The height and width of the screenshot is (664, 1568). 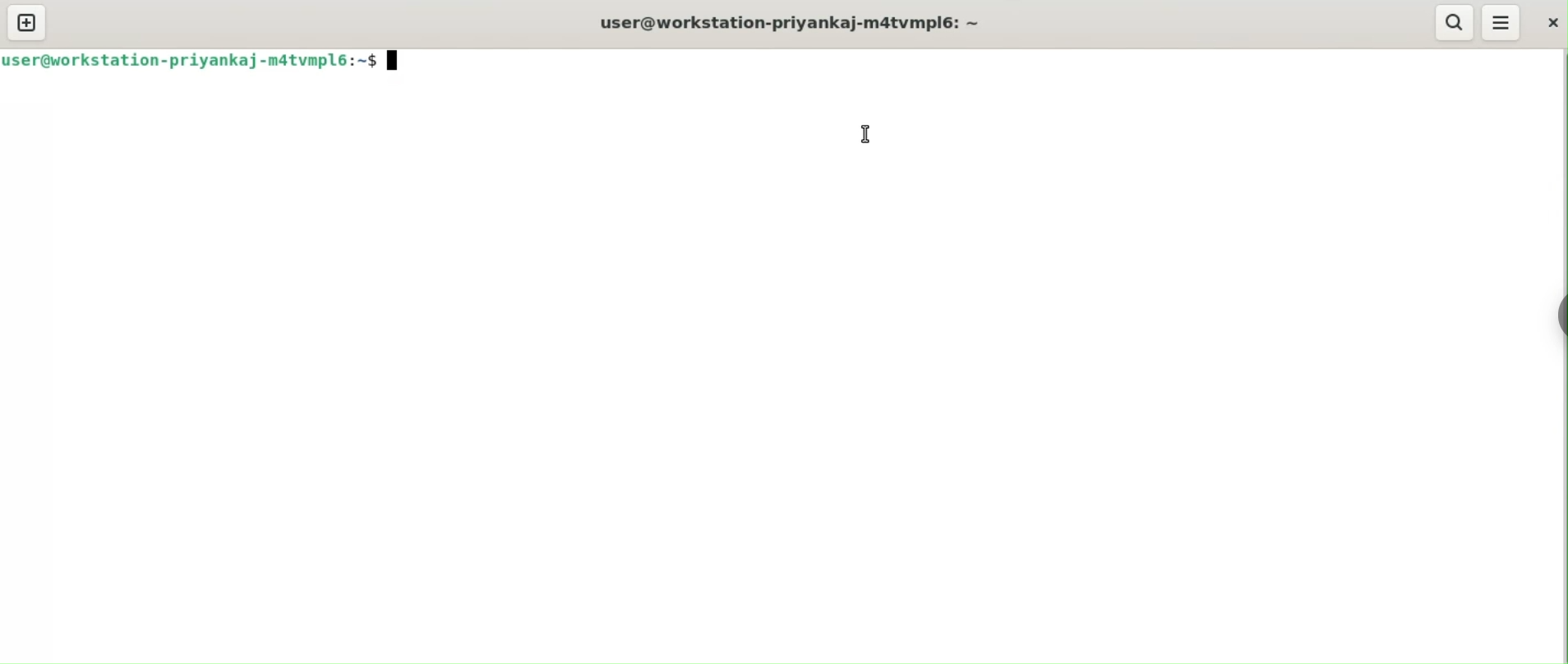 I want to click on new tab, so click(x=27, y=22).